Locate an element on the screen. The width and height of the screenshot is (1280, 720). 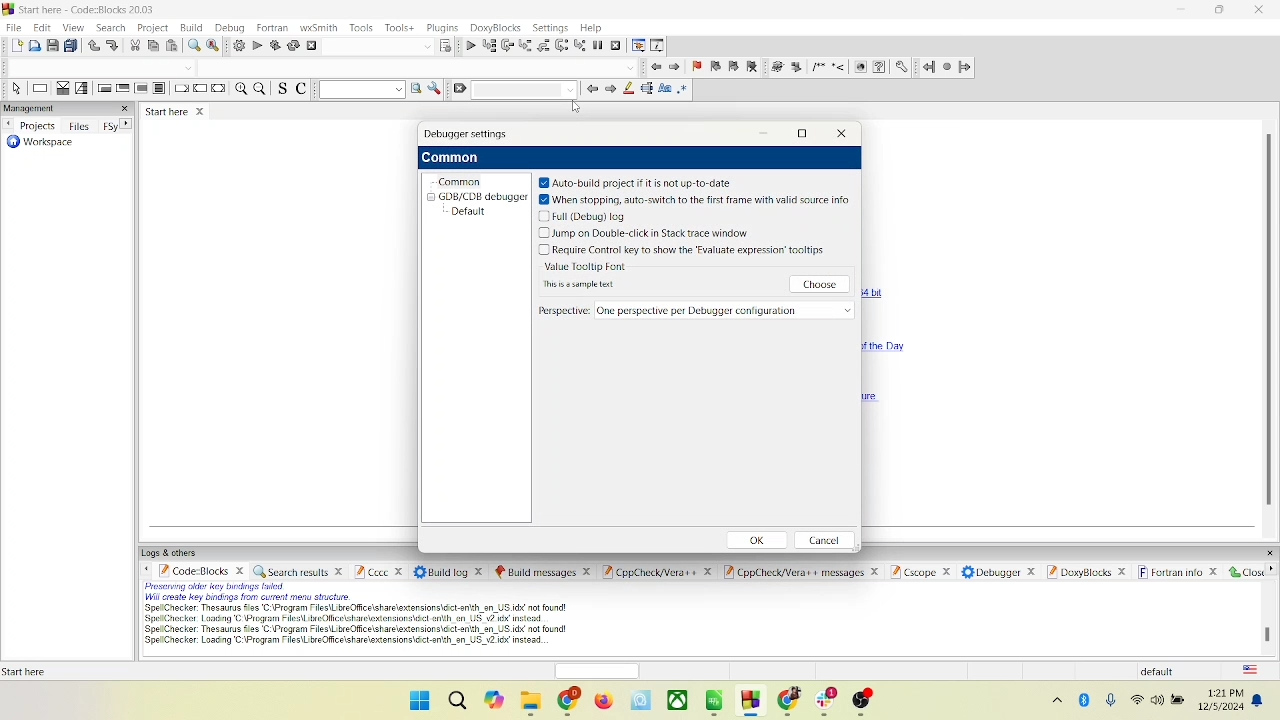
files is located at coordinates (80, 125).